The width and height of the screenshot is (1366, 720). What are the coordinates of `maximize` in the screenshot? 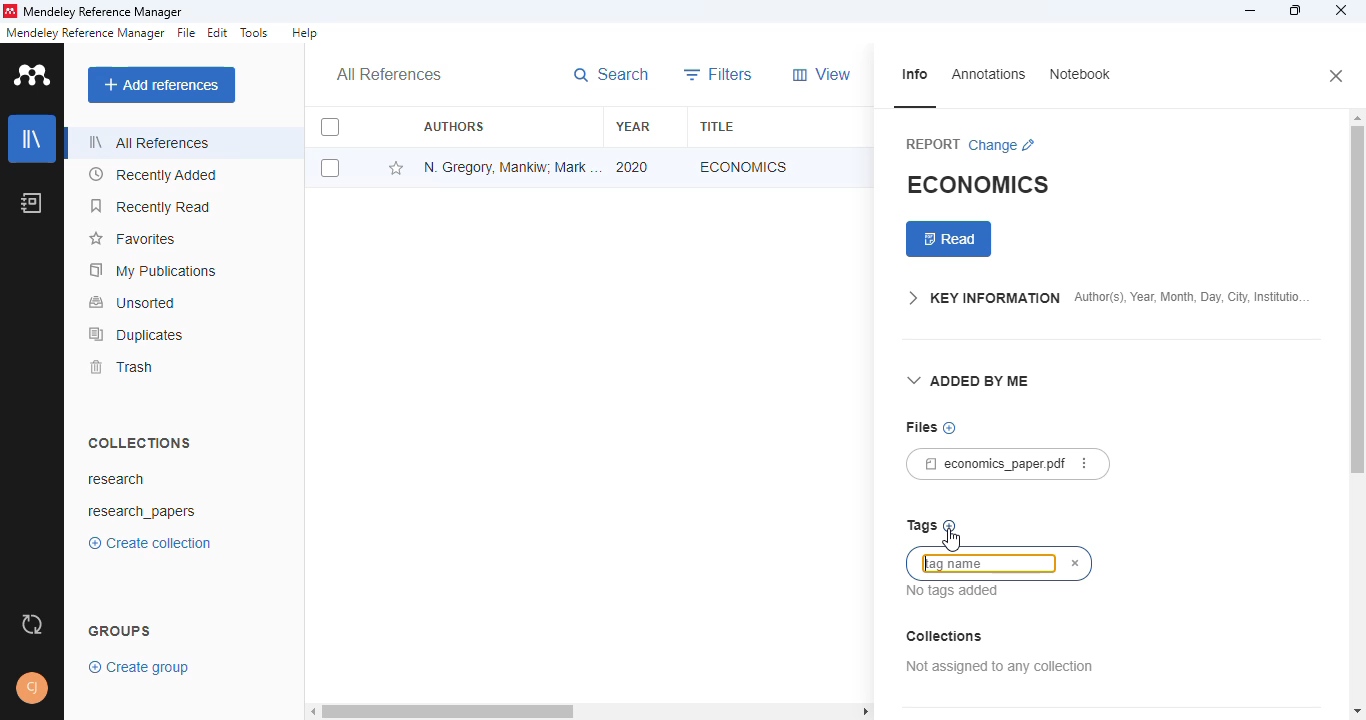 It's located at (1295, 10).